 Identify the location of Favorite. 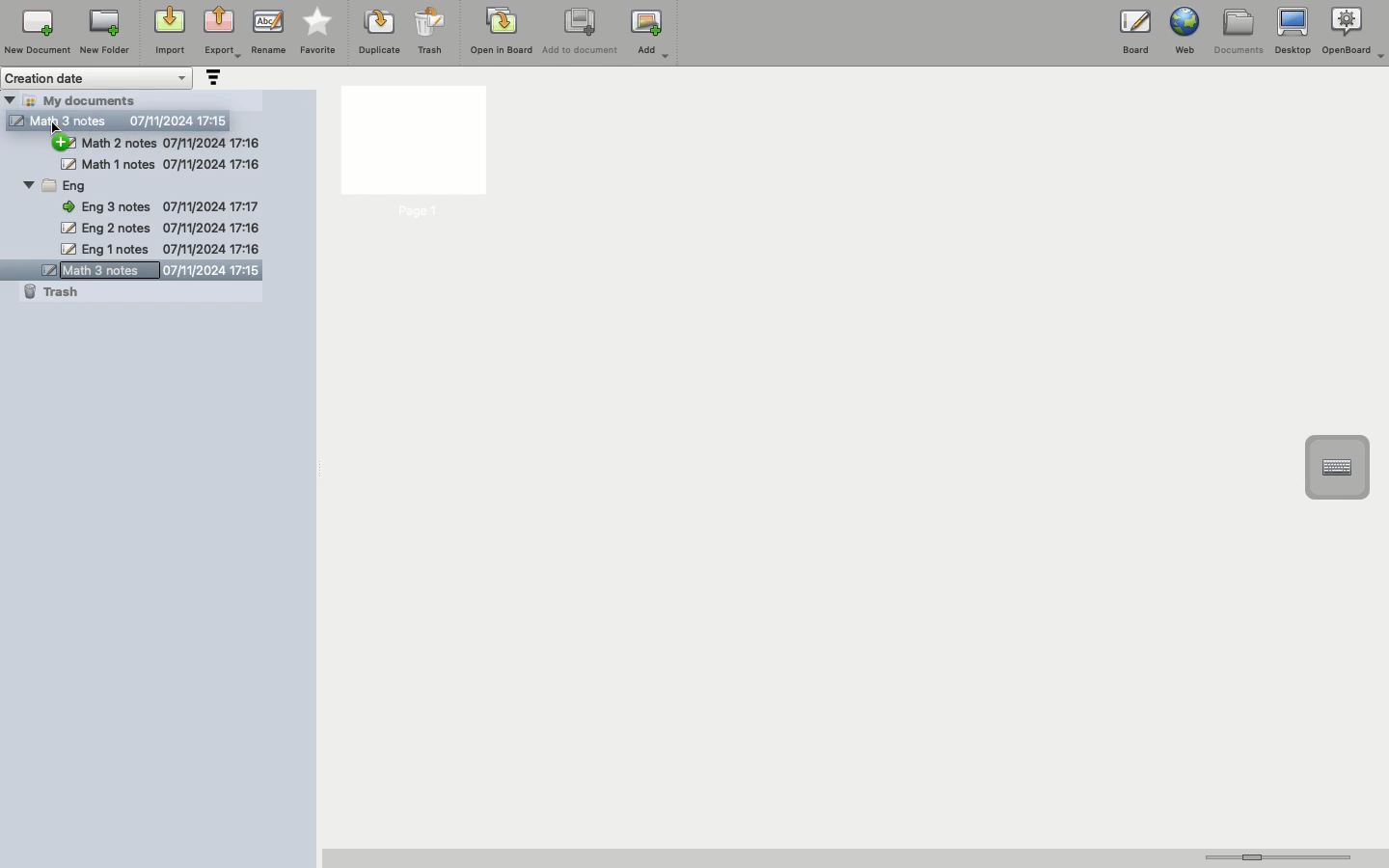
(318, 32).